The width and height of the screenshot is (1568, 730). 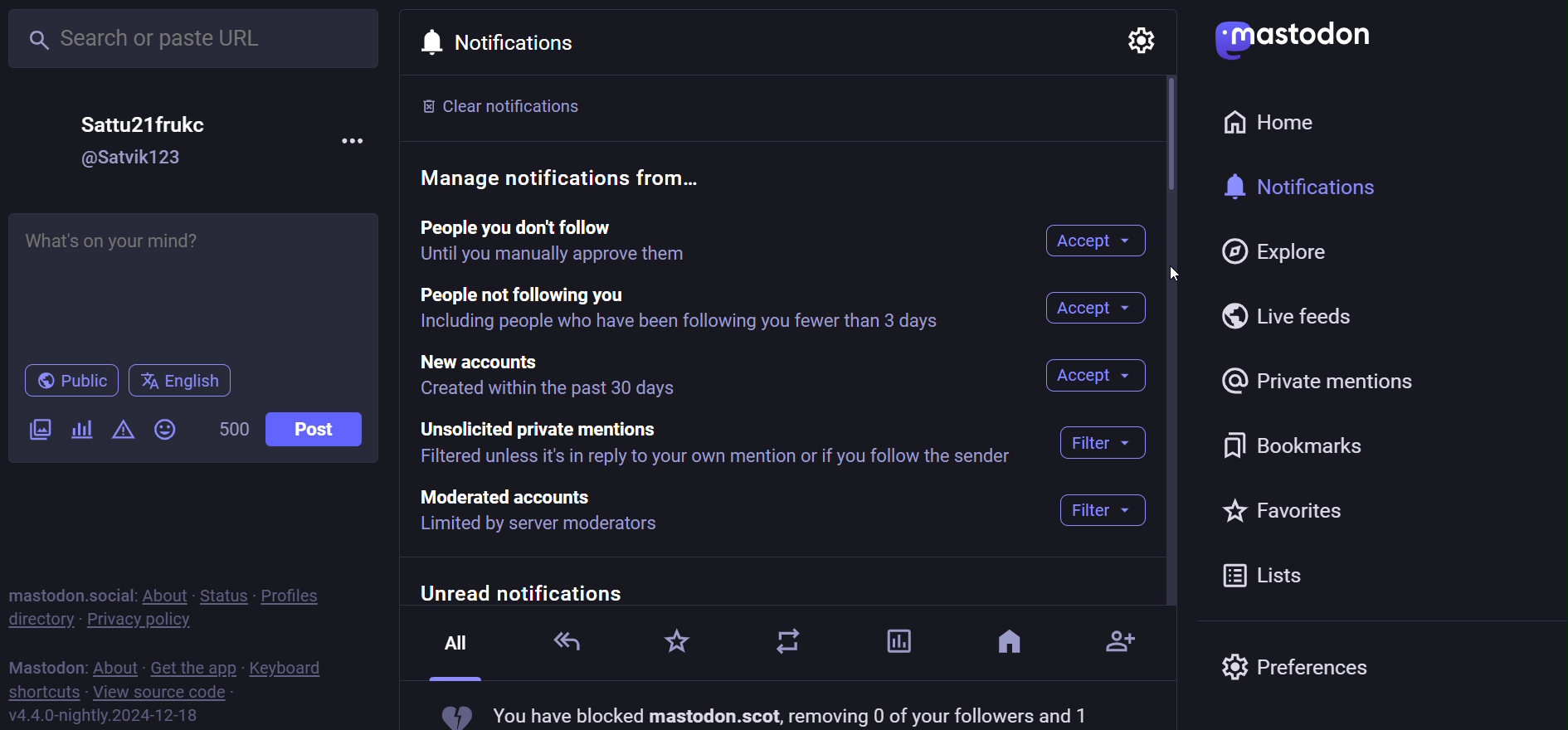 I want to click on mastodon, so click(x=46, y=664).